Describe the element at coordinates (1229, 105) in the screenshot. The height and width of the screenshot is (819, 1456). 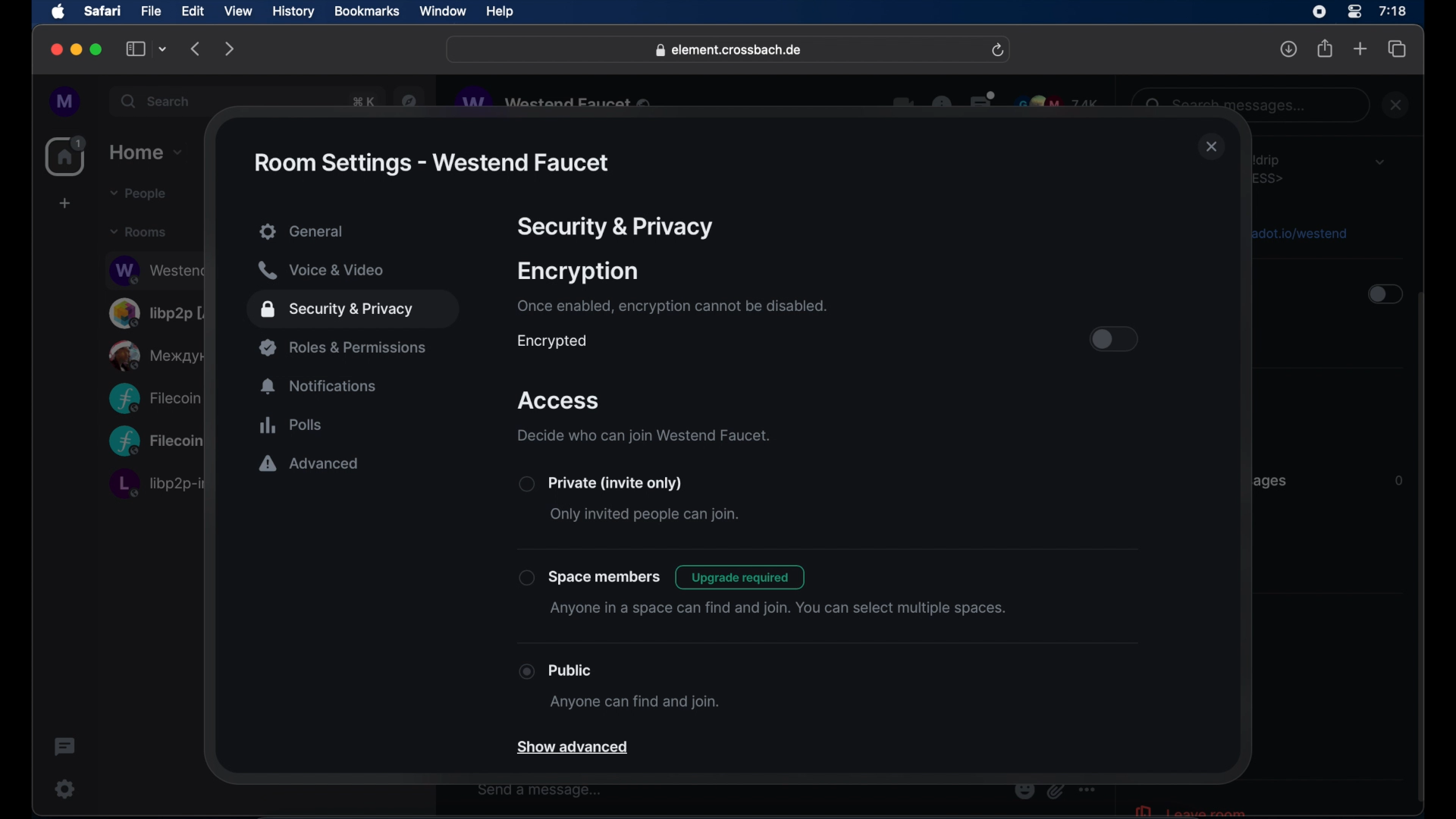
I see `obscure text` at that location.